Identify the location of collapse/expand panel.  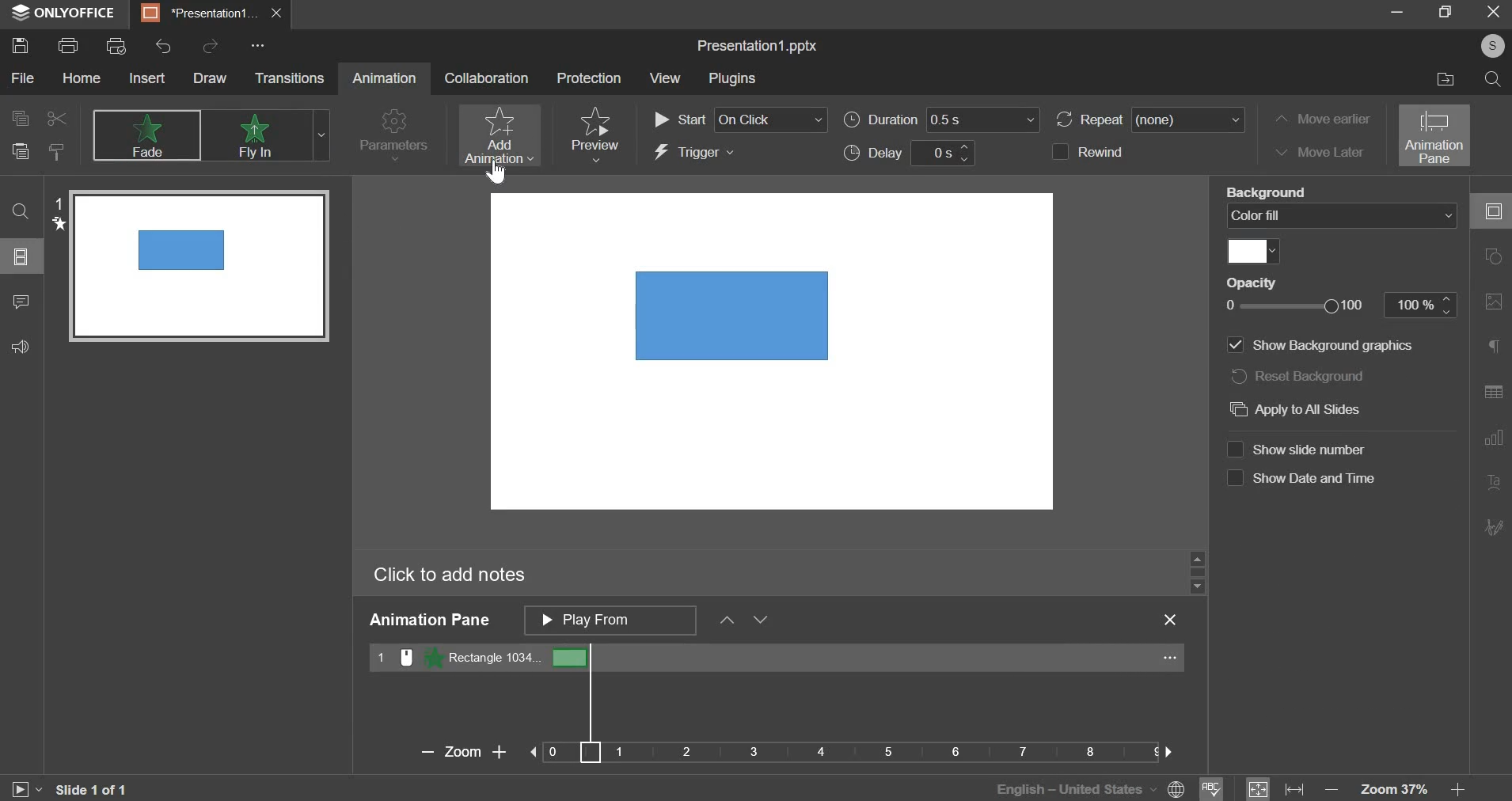
(1489, 211).